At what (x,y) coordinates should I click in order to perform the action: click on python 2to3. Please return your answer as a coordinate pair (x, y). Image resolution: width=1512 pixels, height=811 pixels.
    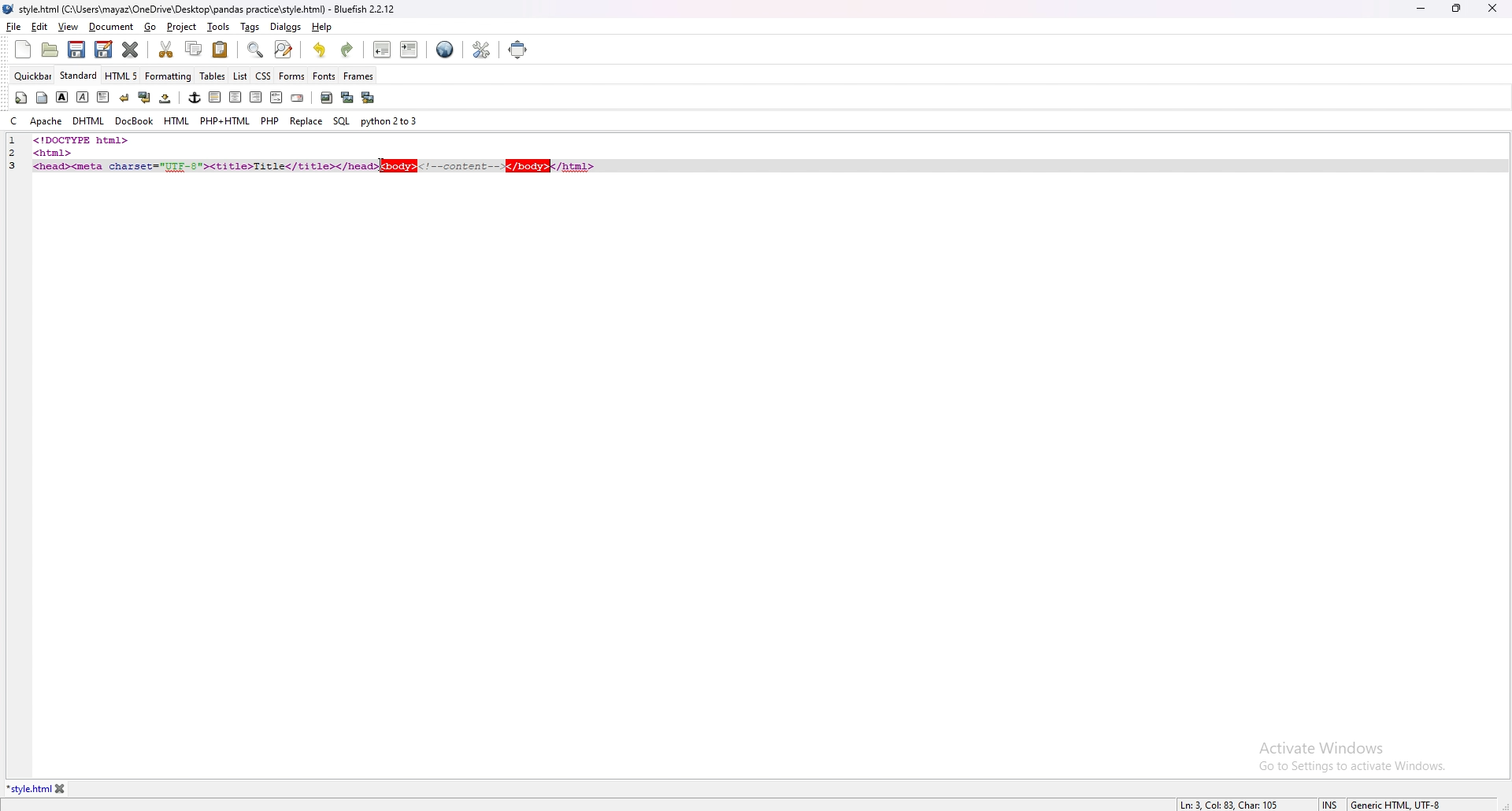
    Looking at the image, I should click on (391, 121).